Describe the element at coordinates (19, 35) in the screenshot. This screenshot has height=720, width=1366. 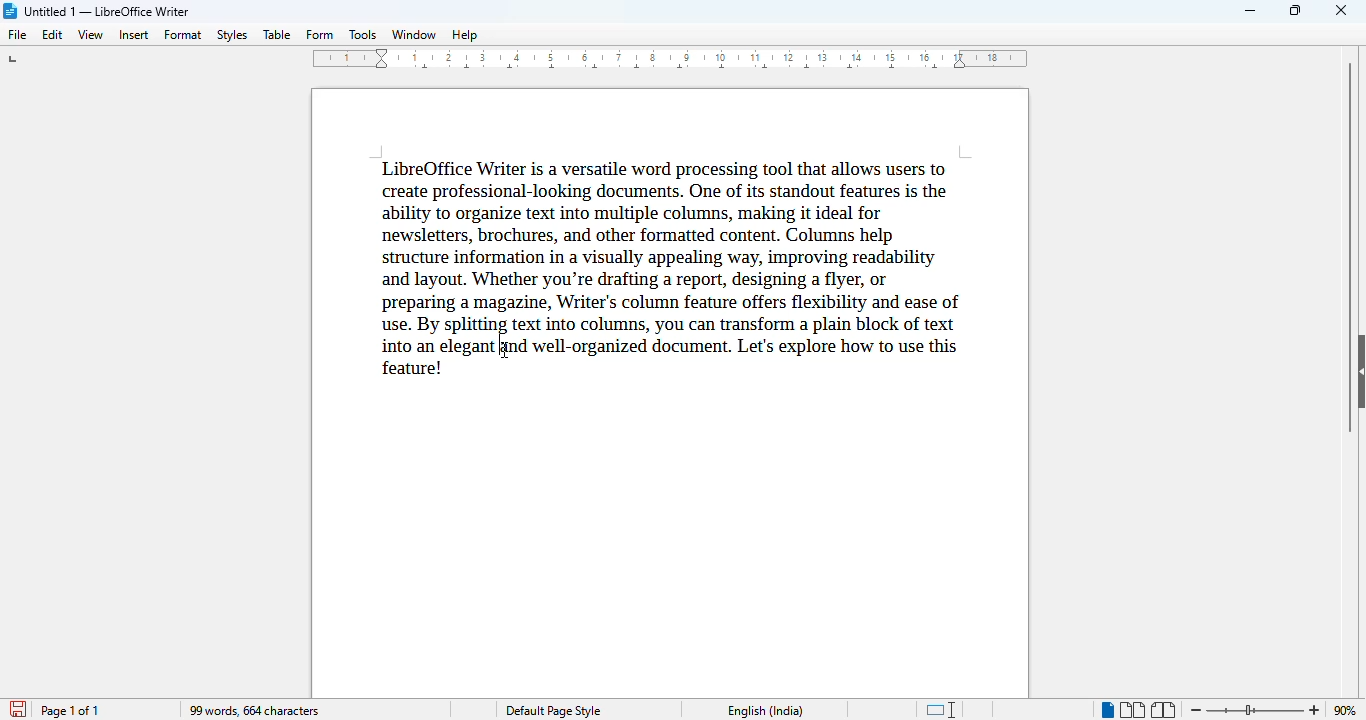
I see `file` at that location.